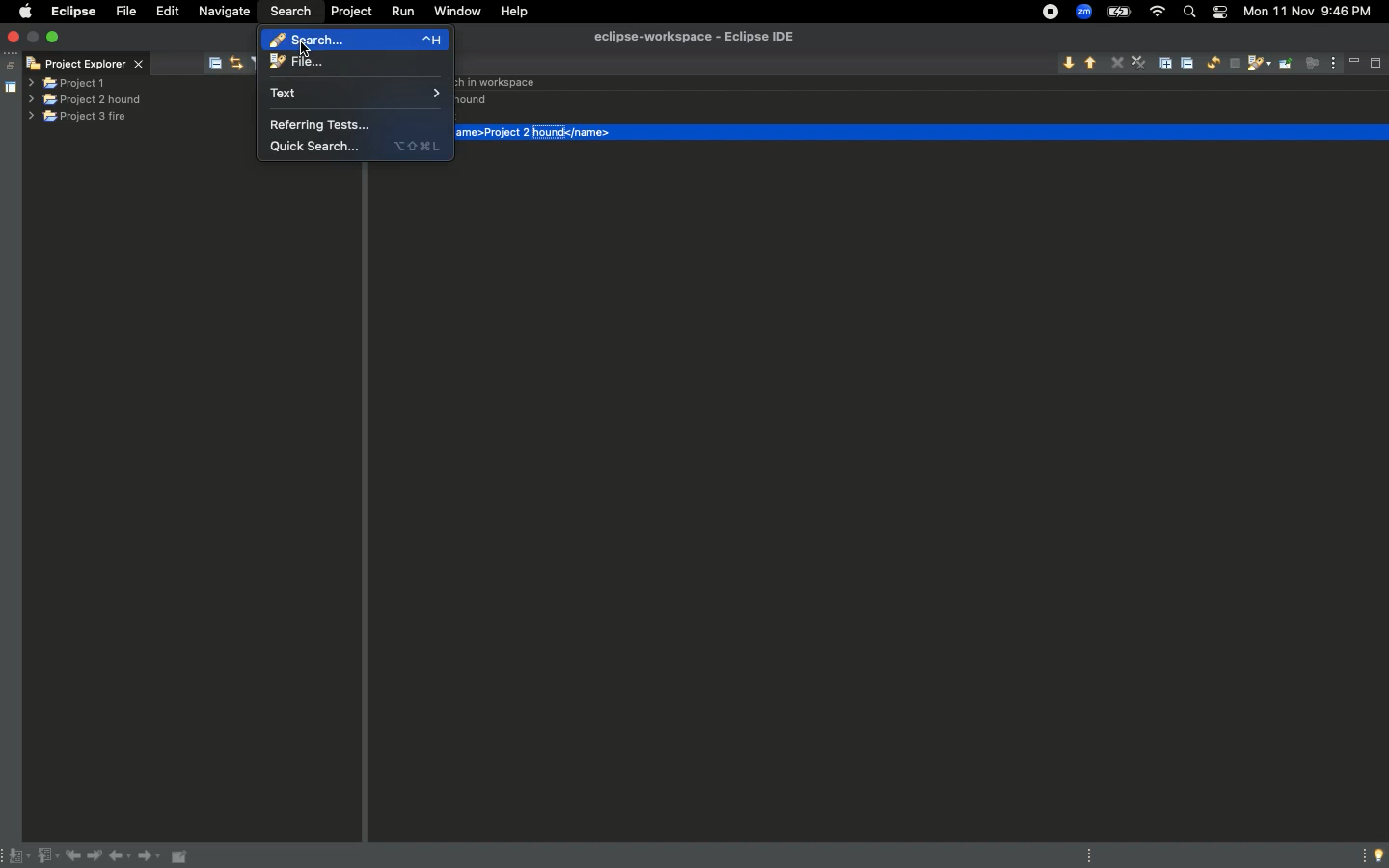 The width and height of the screenshot is (1389, 868). I want to click on Search, so click(1188, 13).